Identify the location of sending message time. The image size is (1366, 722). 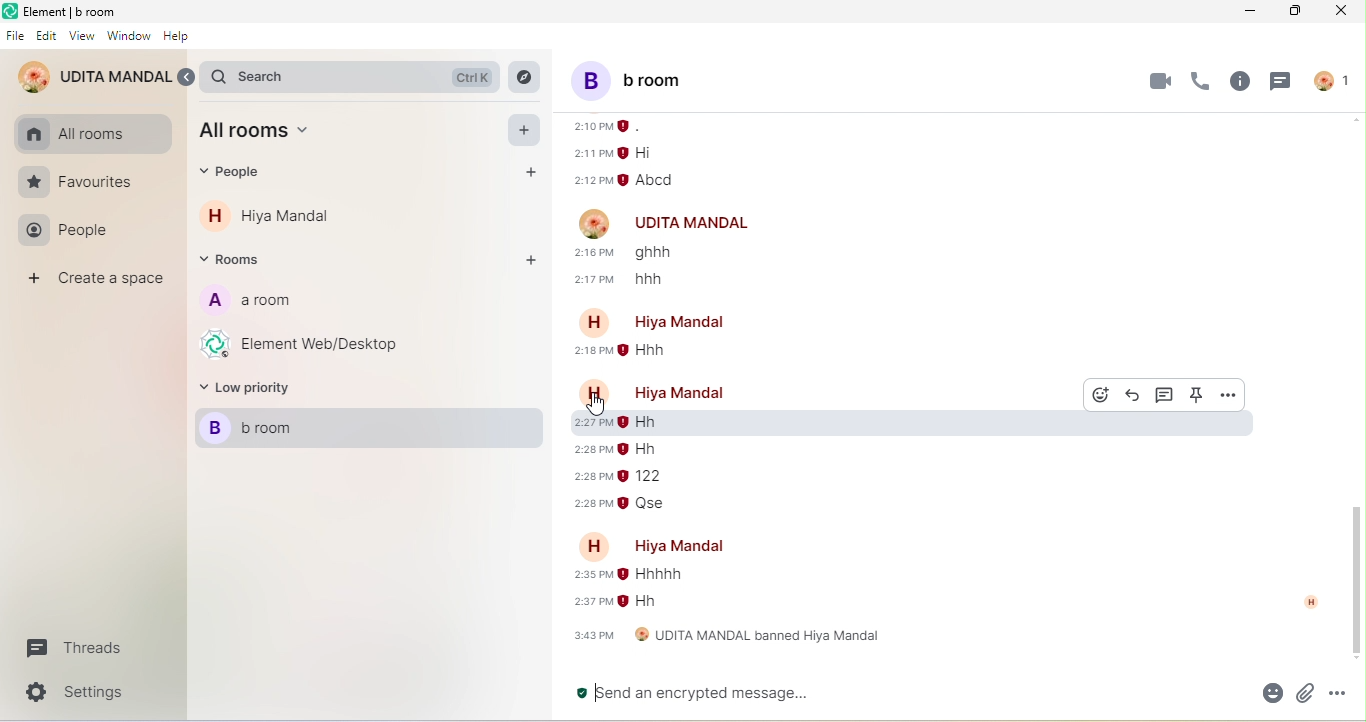
(588, 603).